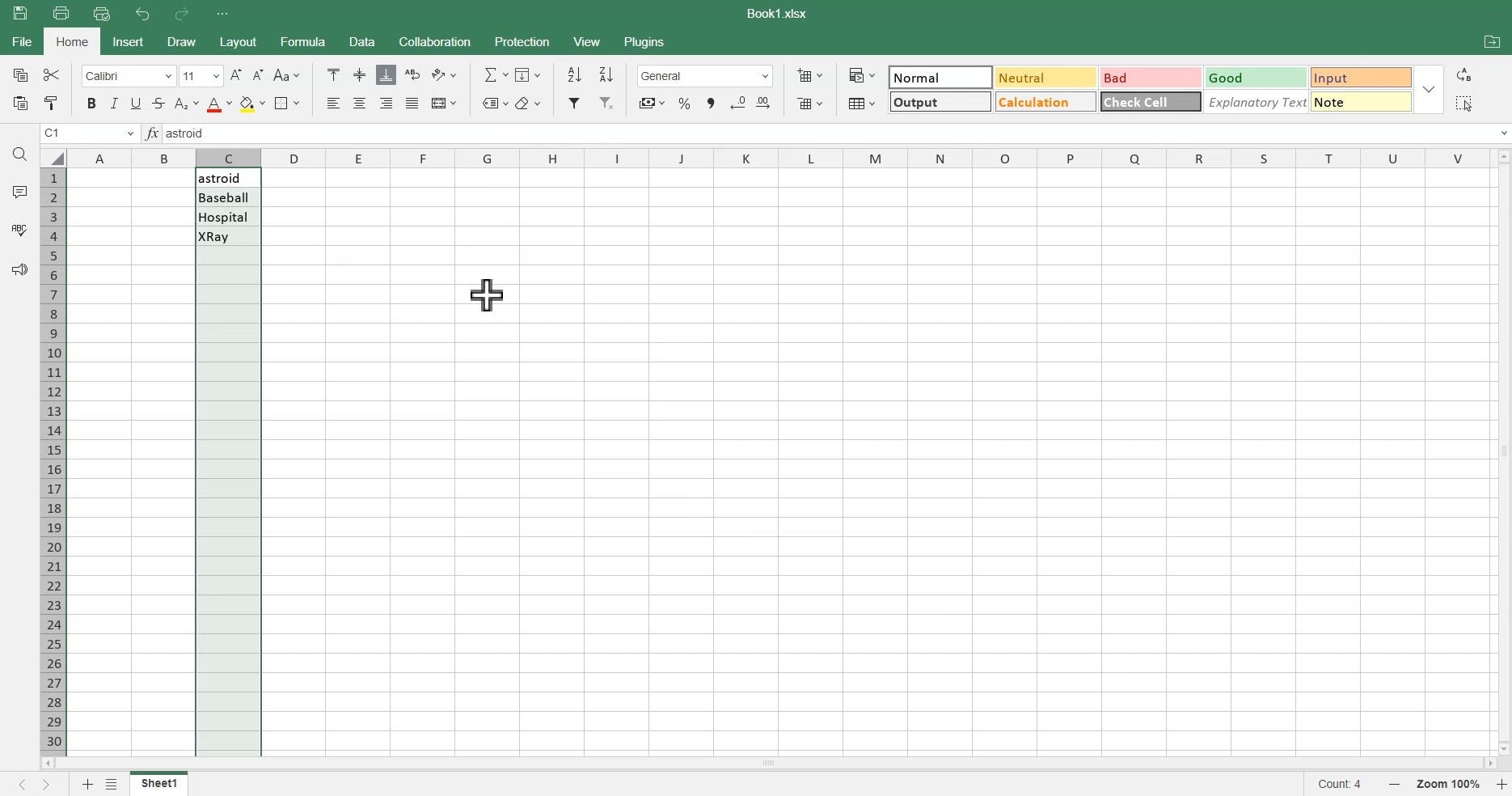 The image size is (1512, 796). What do you see at coordinates (1358, 75) in the screenshot?
I see `Input` at bounding box center [1358, 75].